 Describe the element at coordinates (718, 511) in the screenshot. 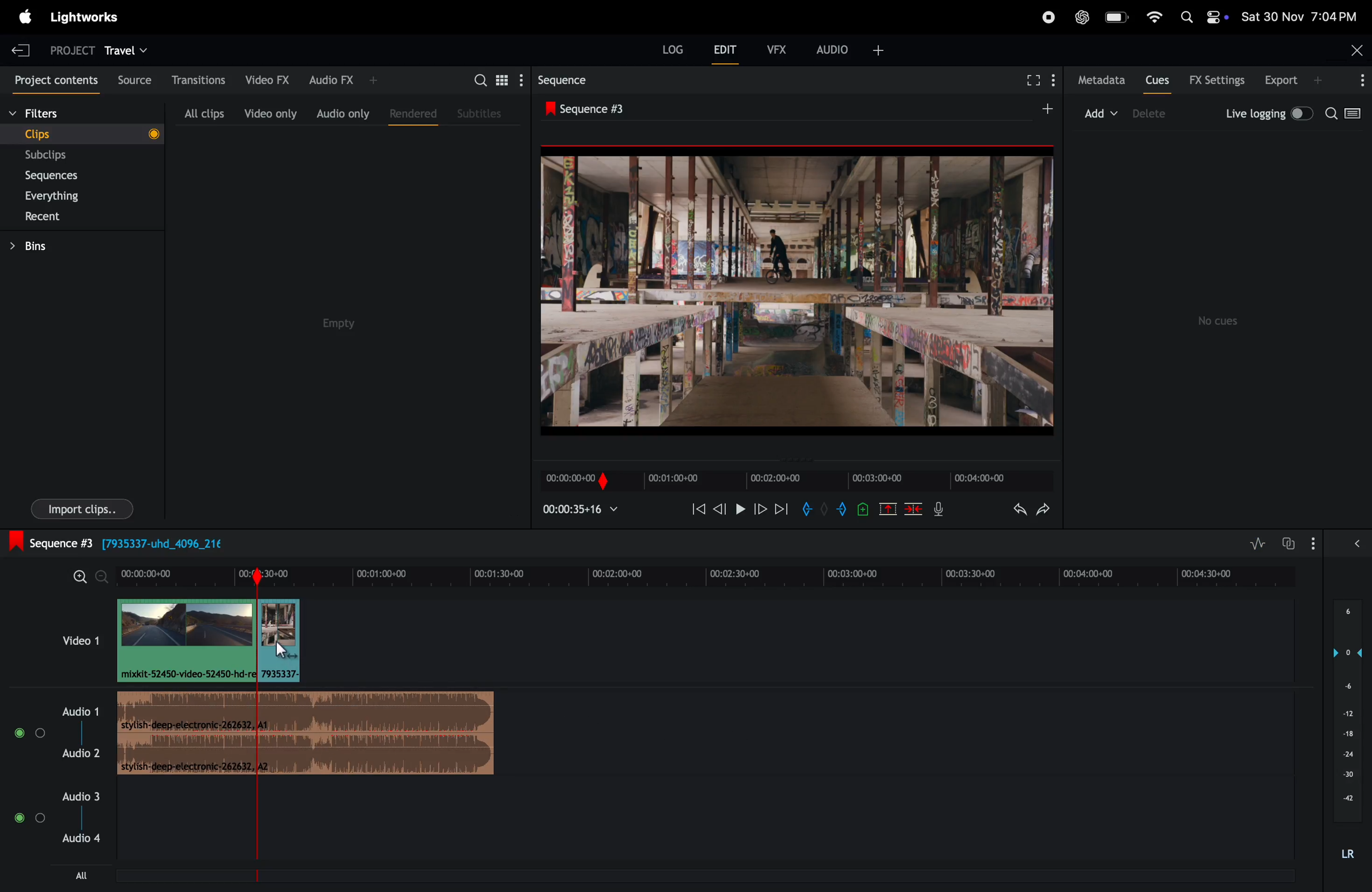

I see `previous frame` at that location.